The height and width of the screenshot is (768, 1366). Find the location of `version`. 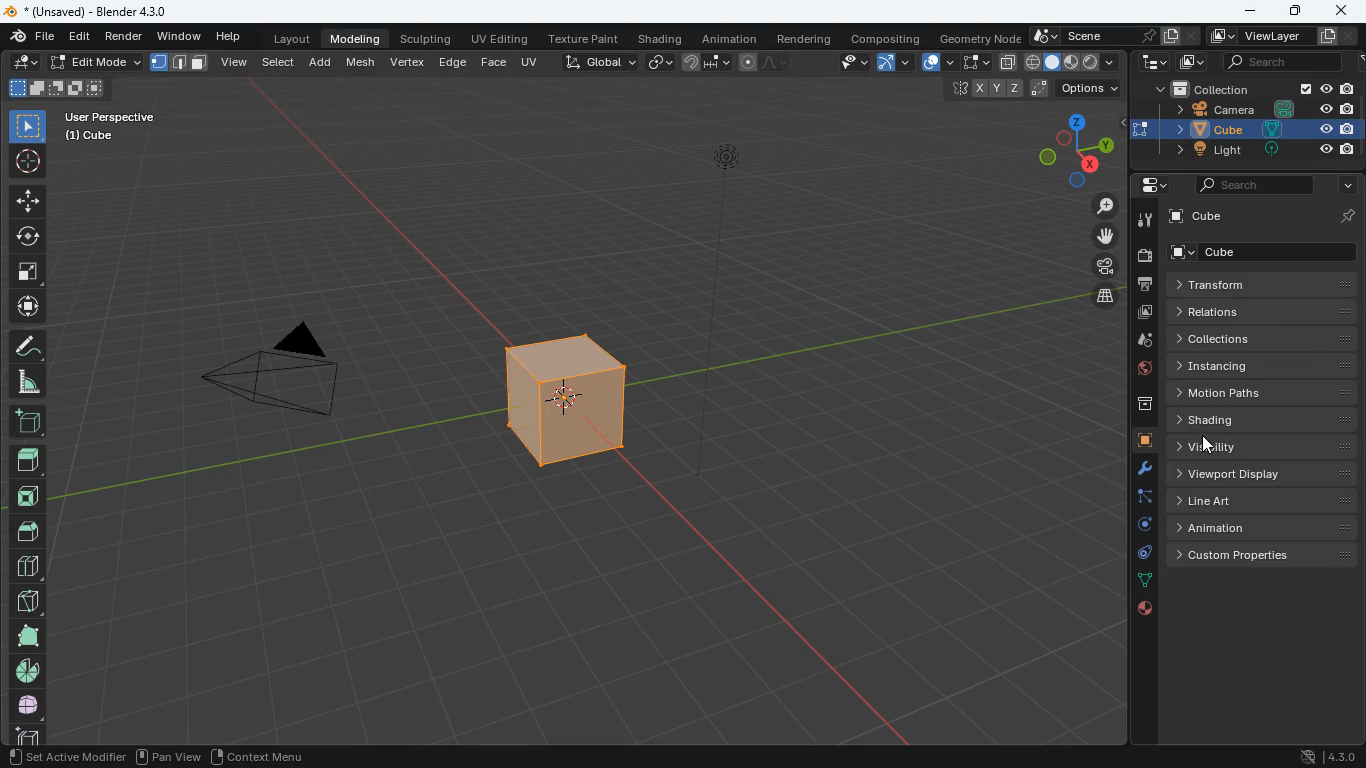

version is located at coordinates (1323, 758).